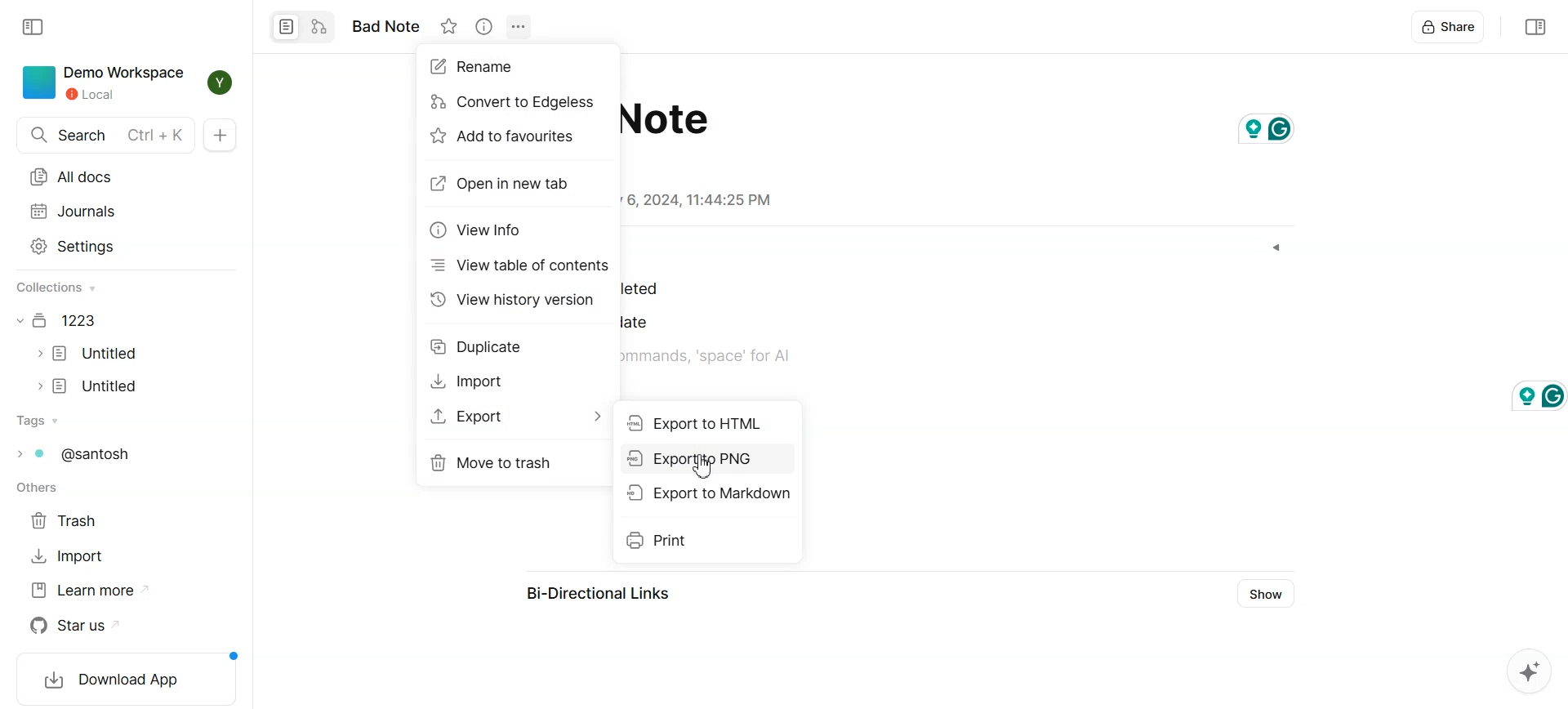 The width and height of the screenshot is (1568, 709). I want to click on Share, so click(1450, 29).